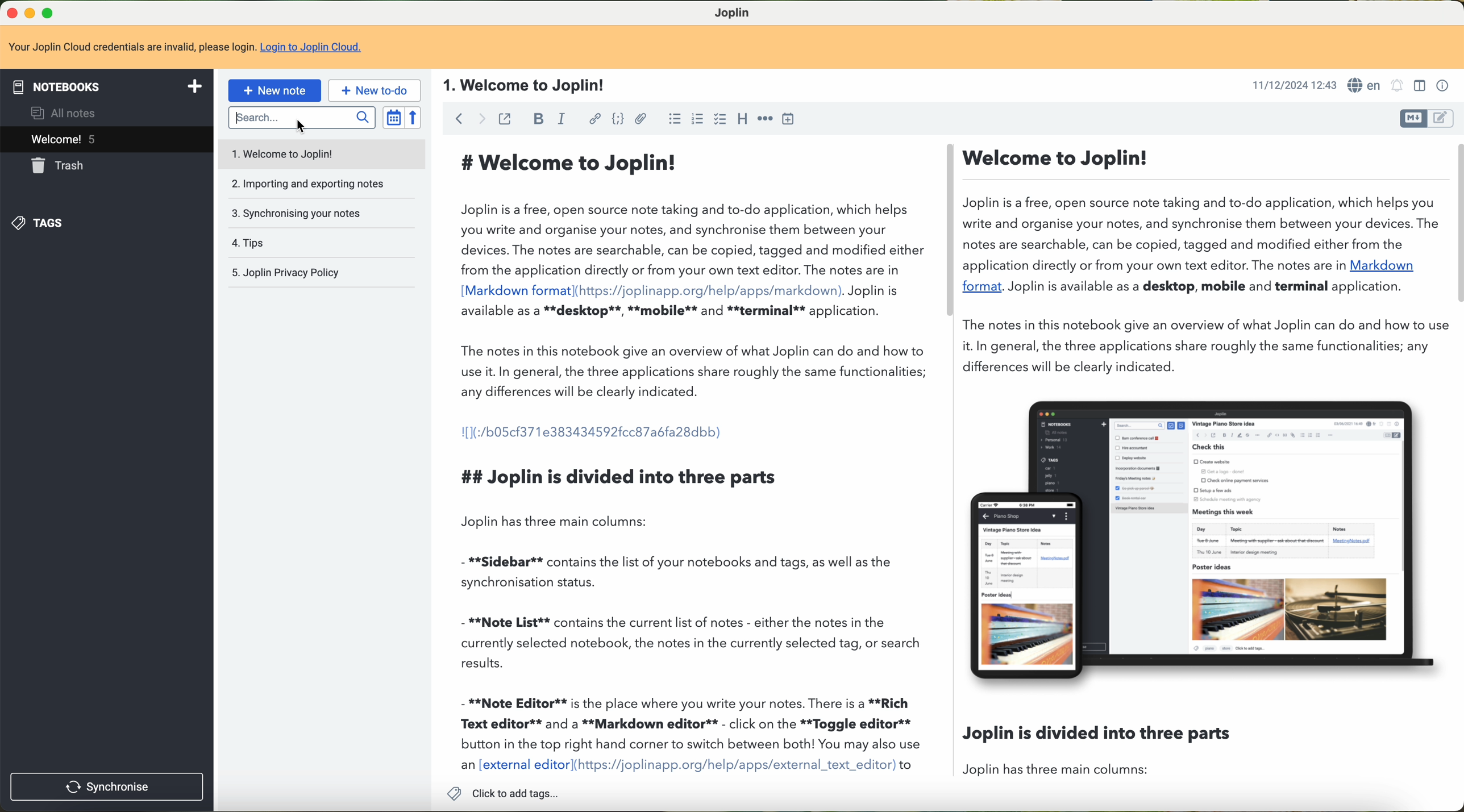 Image resolution: width=1464 pixels, height=812 pixels. Describe the element at coordinates (721, 120) in the screenshot. I see `checkbox` at that location.